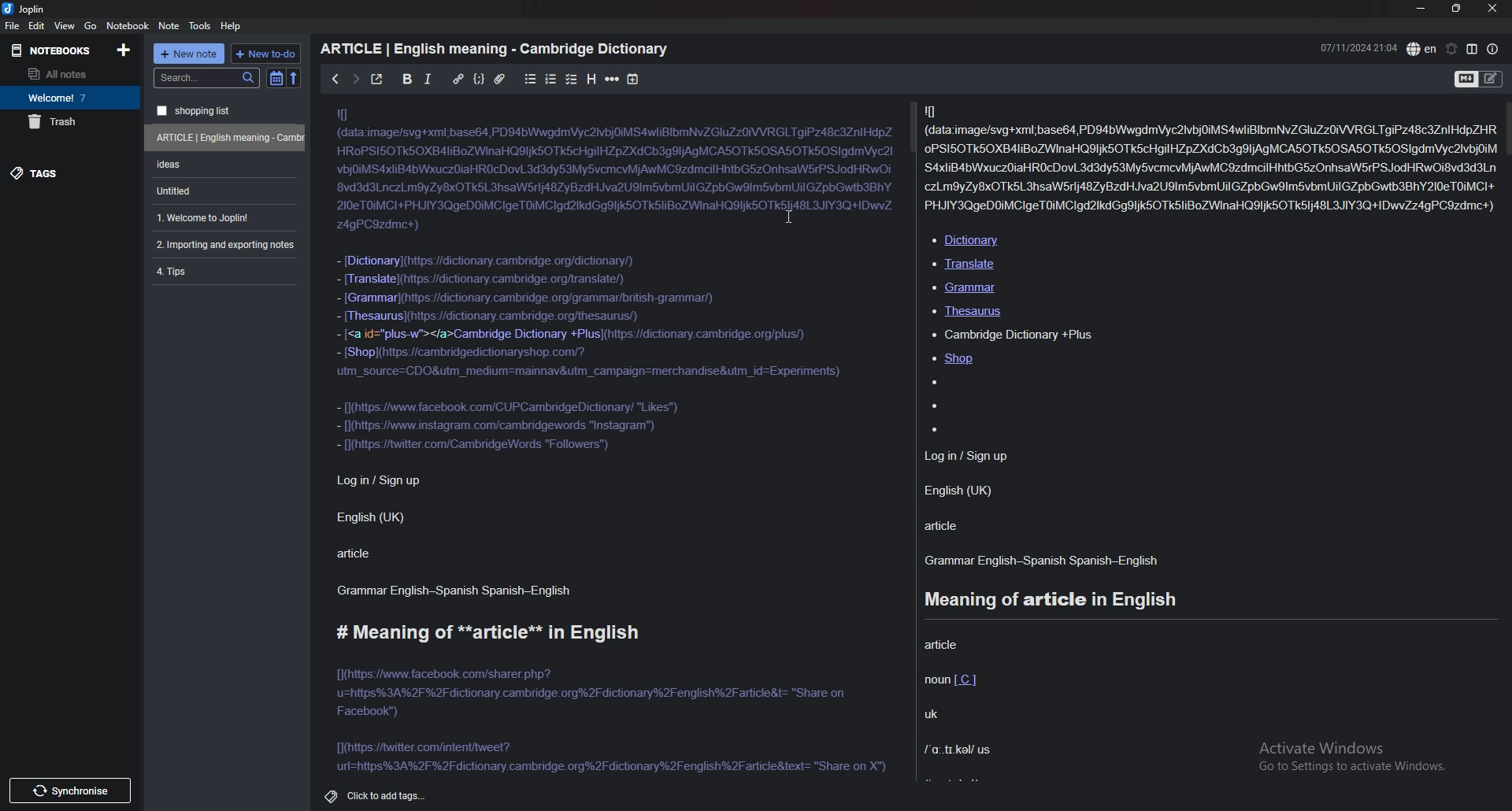 The width and height of the screenshot is (1512, 811). What do you see at coordinates (224, 218) in the screenshot?
I see `note` at bounding box center [224, 218].